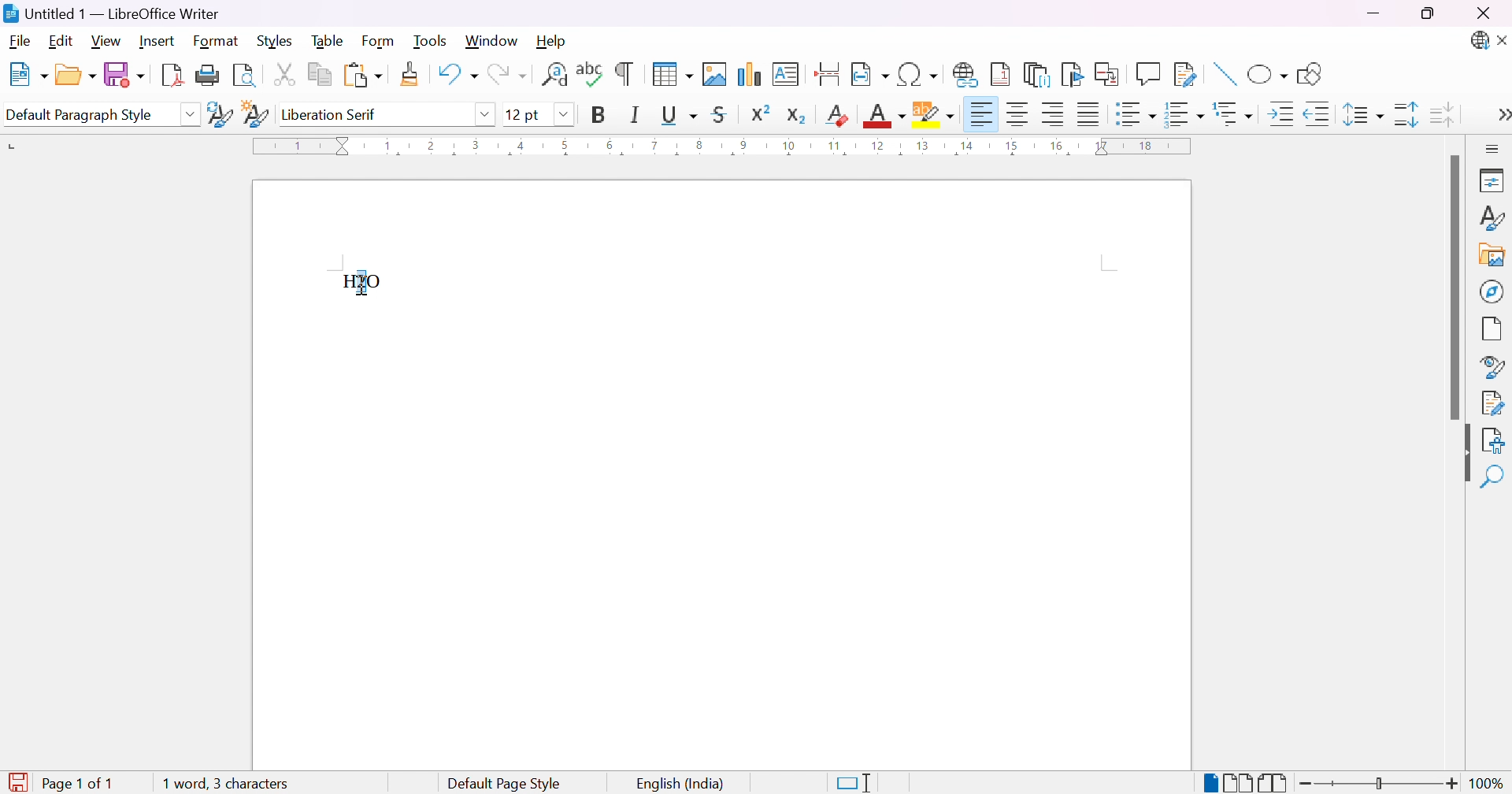  What do you see at coordinates (1147, 74) in the screenshot?
I see `Insert functions` at bounding box center [1147, 74].